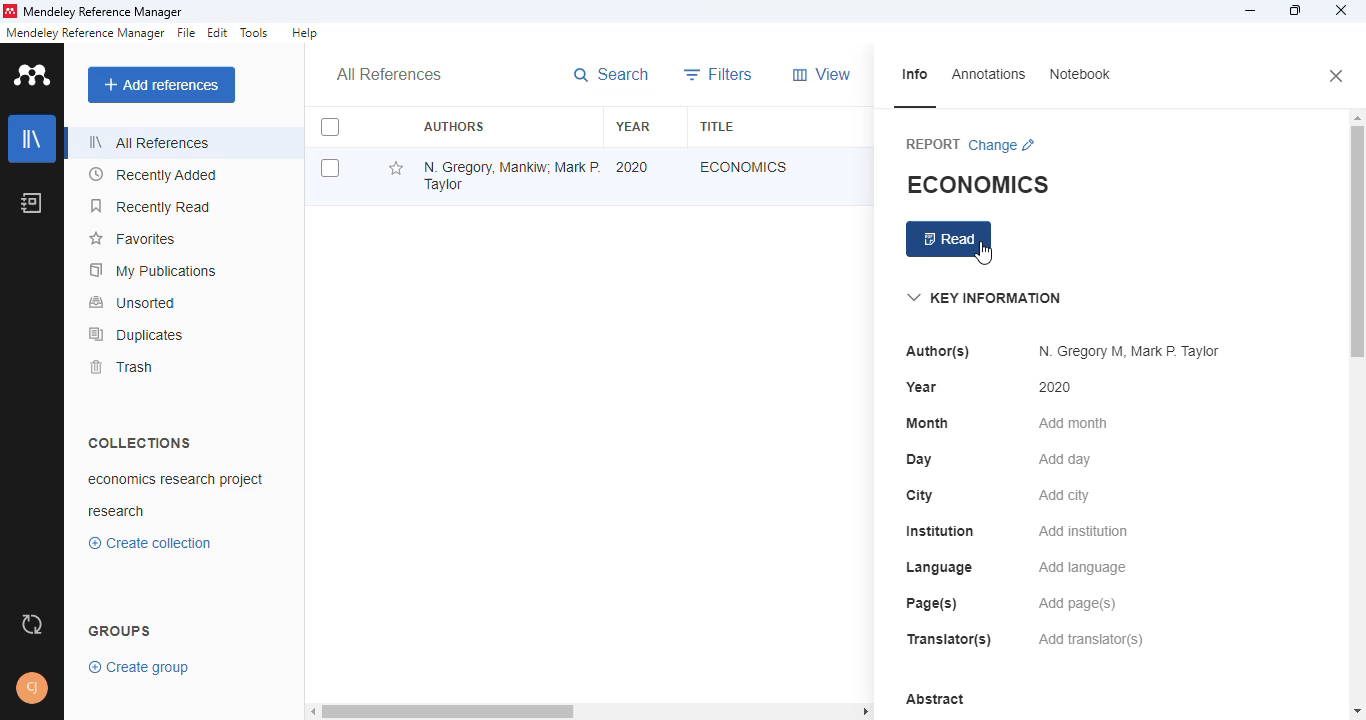 Image resolution: width=1366 pixels, height=720 pixels. Describe the element at coordinates (611, 74) in the screenshot. I see `search` at that location.